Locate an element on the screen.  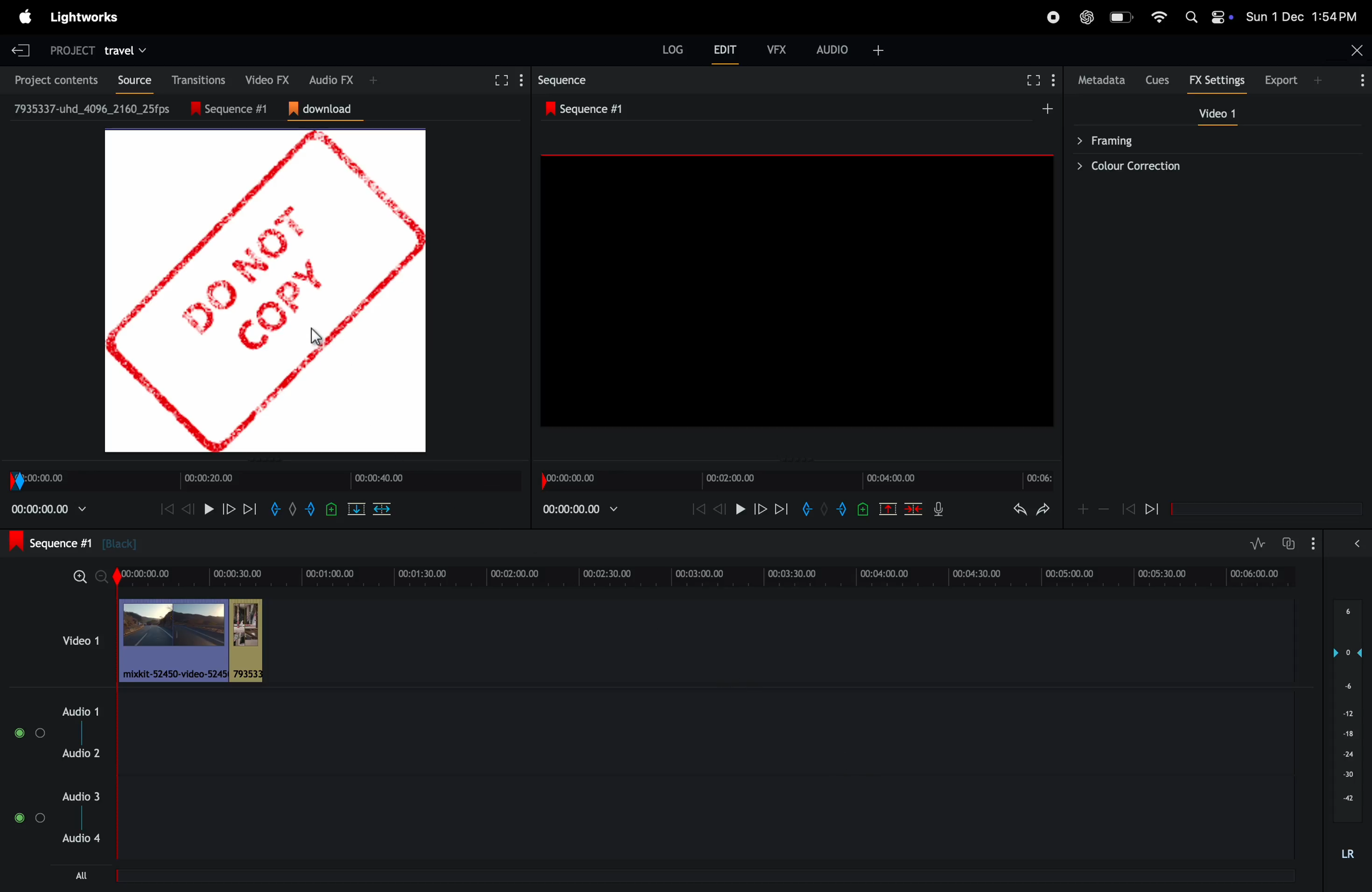
options is located at coordinates (1359, 80).